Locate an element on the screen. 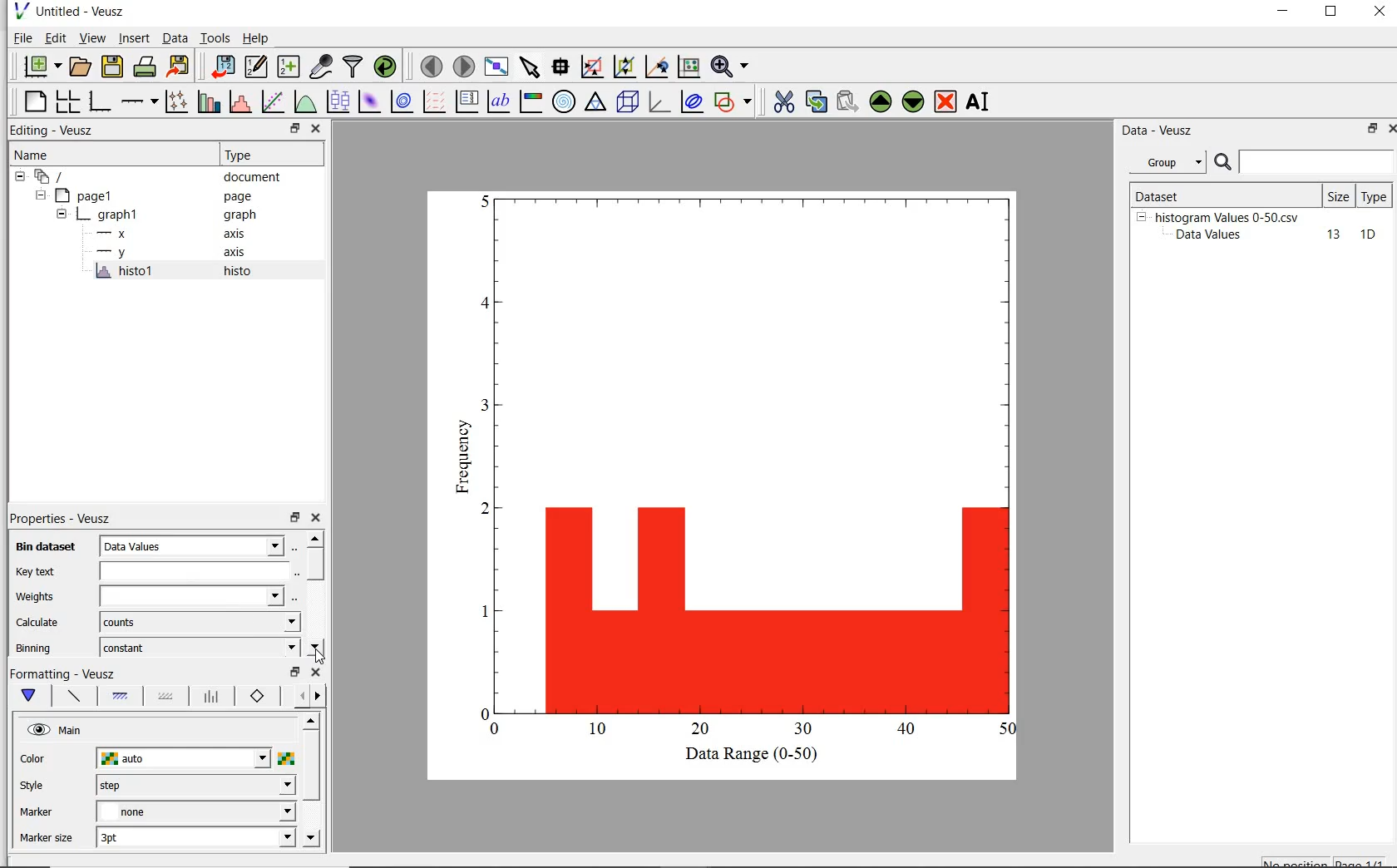 The width and height of the screenshot is (1397, 868). Properties - Veusz is located at coordinates (59, 517).